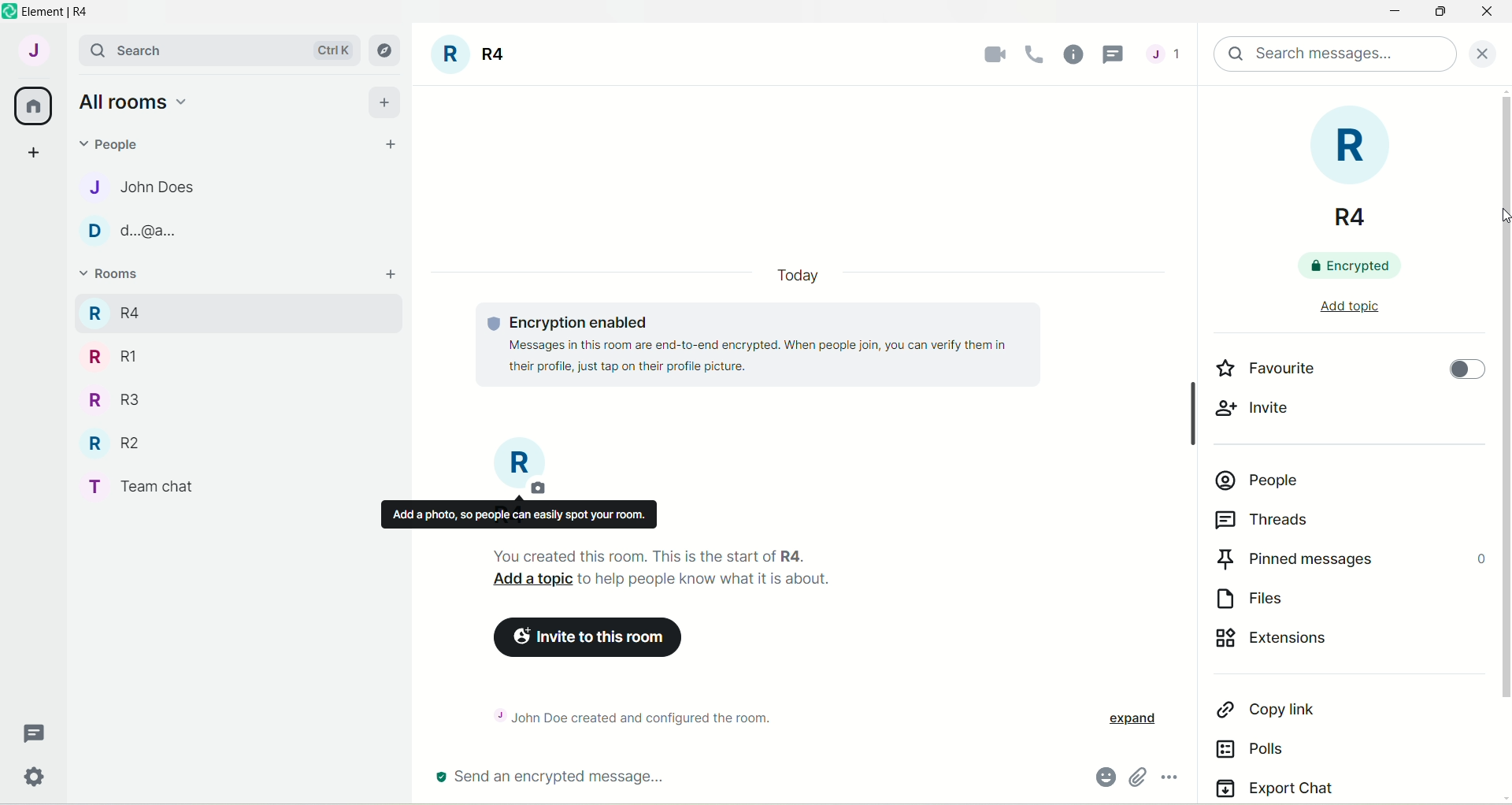  I want to click on settings, so click(37, 780).